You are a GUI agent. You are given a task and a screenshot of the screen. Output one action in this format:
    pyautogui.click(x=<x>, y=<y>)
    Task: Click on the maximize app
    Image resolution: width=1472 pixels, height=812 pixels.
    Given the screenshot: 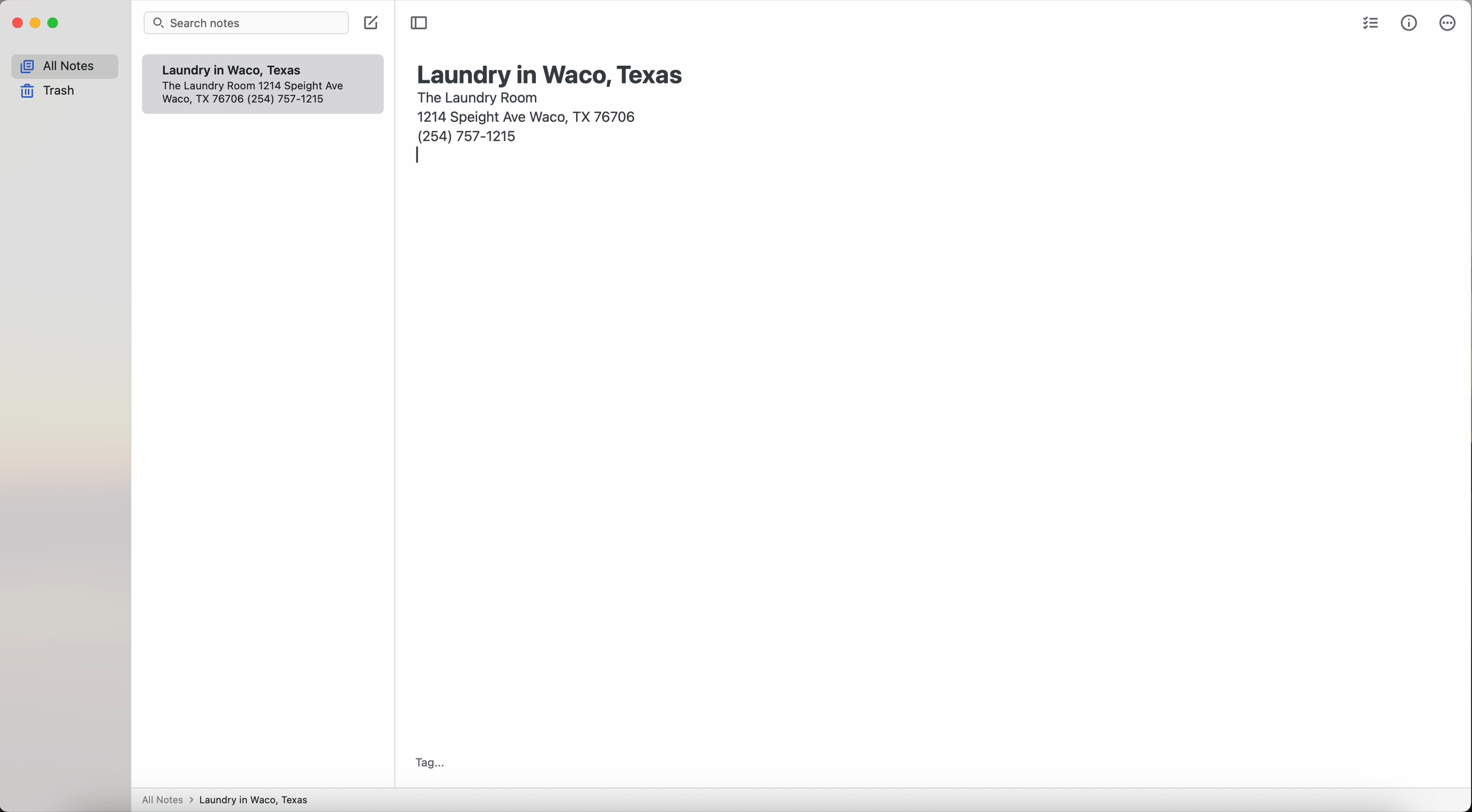 What is the action you would take?
    pyautogui.click(x=54, y=23)
    